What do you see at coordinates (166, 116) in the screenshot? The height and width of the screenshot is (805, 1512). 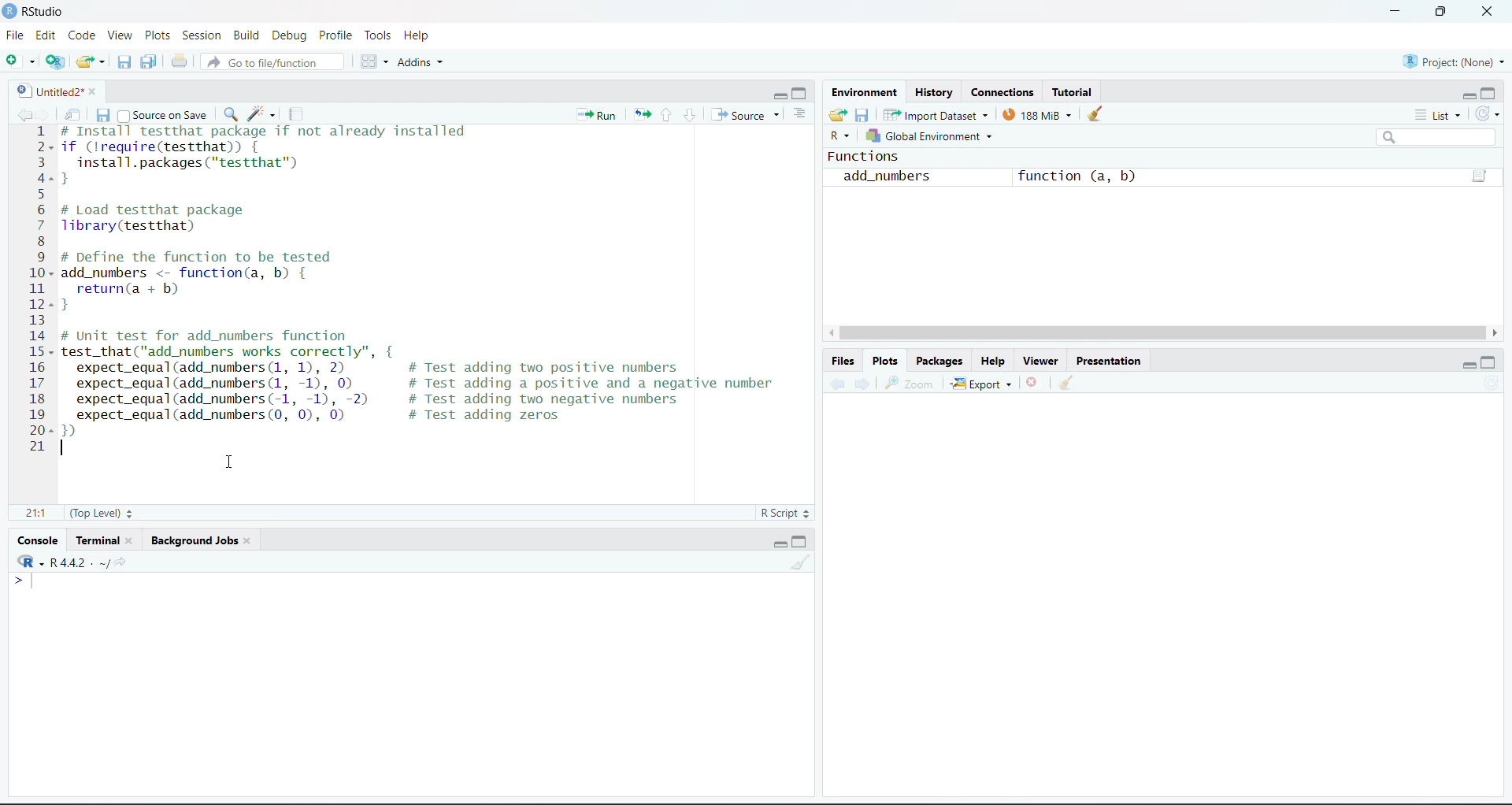 I see `source on save` at bounding box center [166, 116].